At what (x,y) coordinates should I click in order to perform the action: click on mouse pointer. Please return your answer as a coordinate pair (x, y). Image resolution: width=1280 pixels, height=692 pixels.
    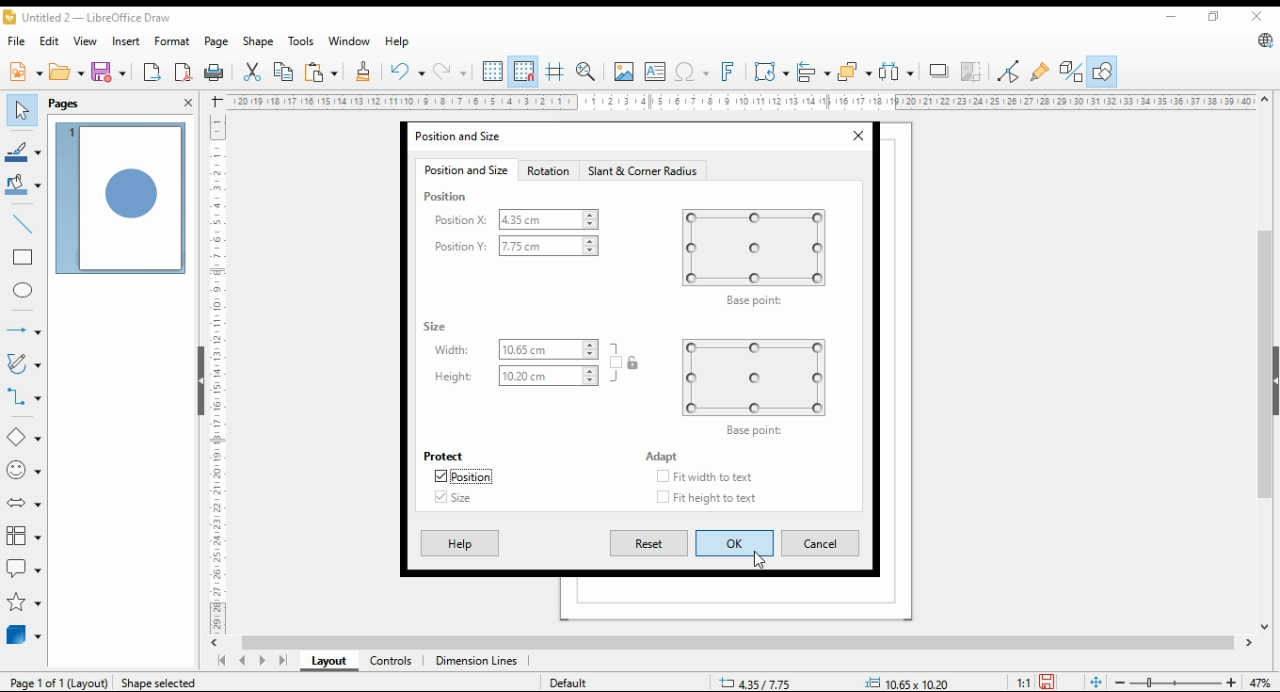
    Looking at the image, I should click on (760, 559).